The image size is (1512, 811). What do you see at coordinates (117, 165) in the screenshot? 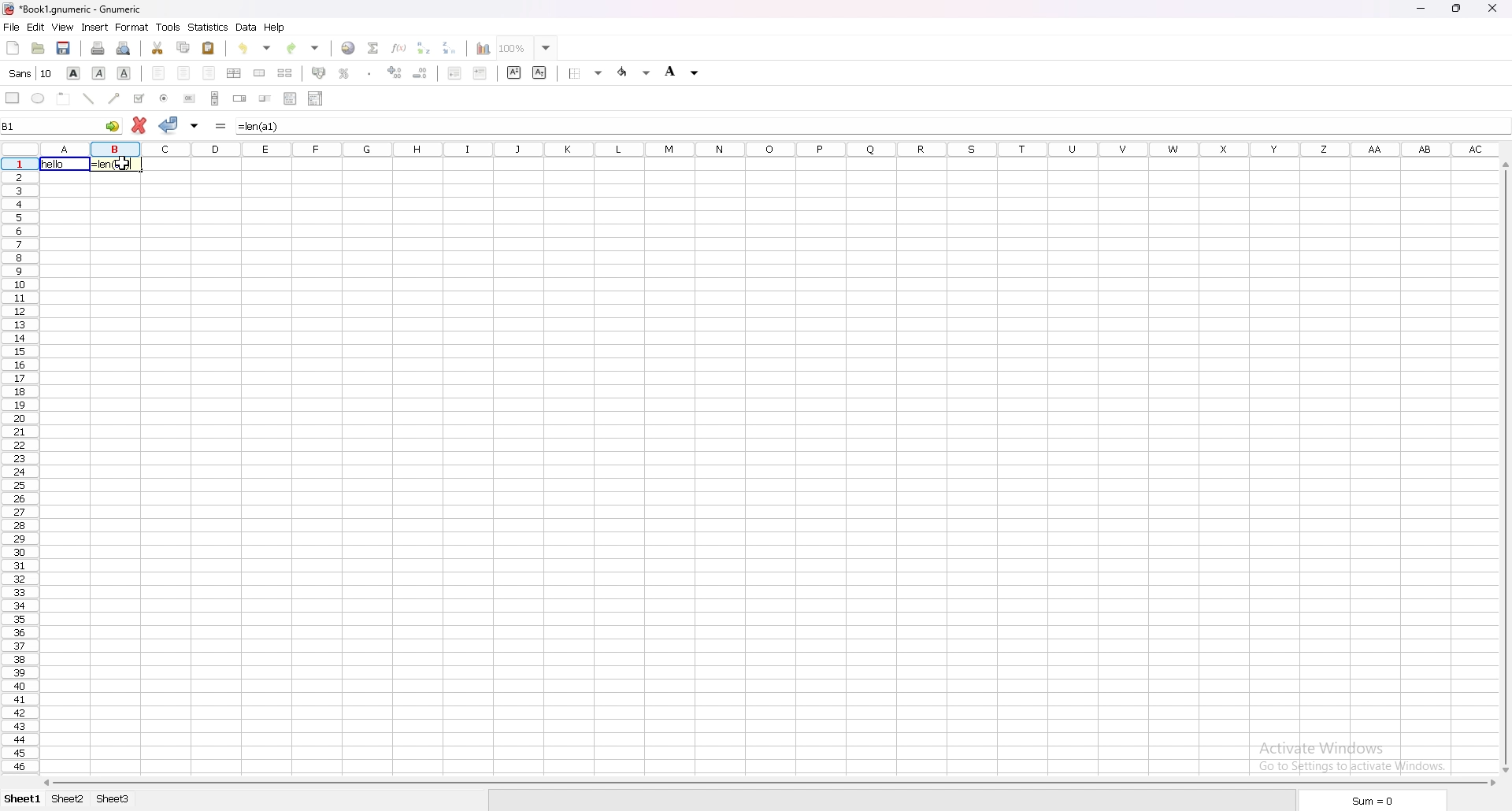
I see `=len(a1)` at bounding box center [117, 165].